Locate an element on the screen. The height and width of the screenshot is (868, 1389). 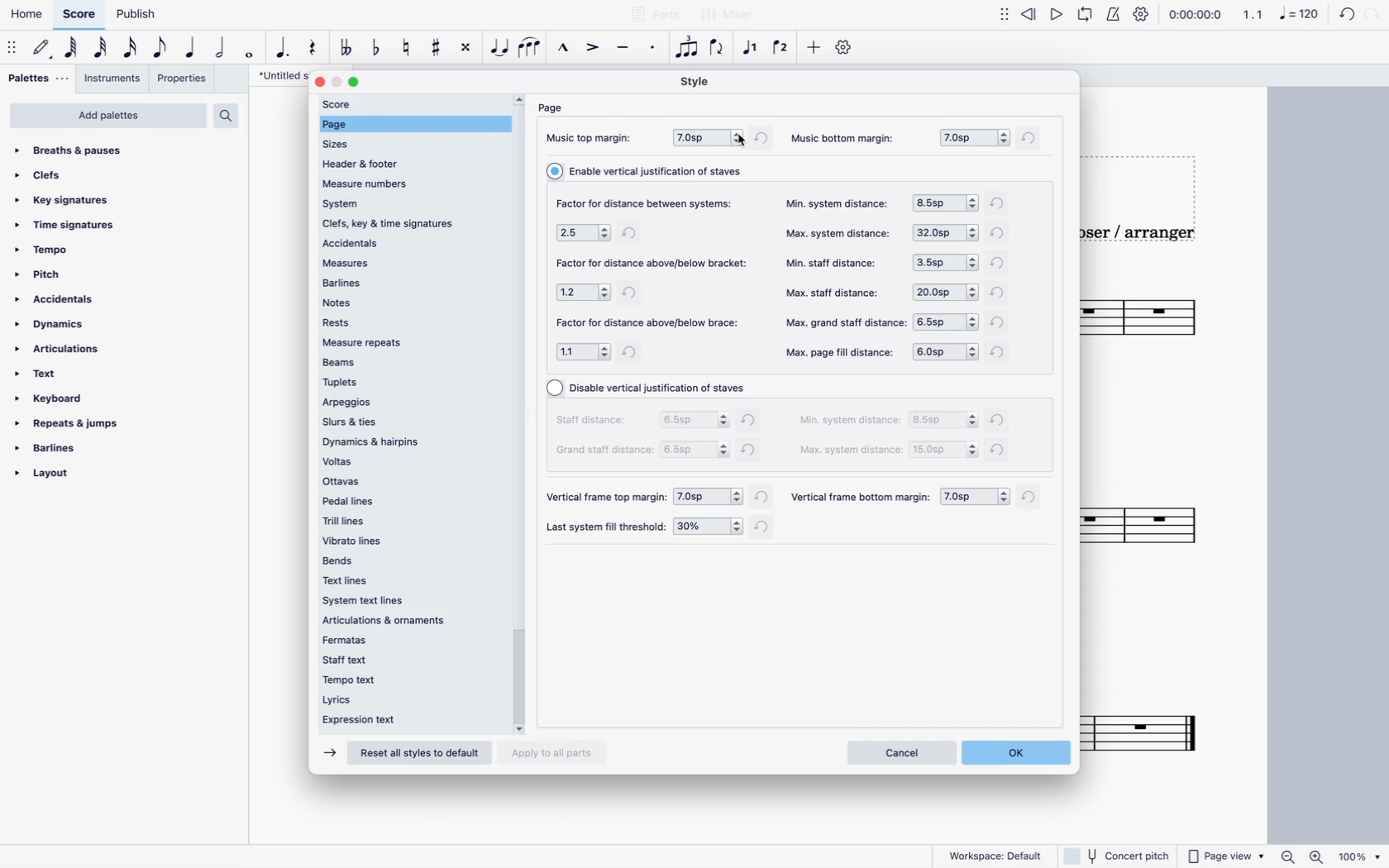
composer / arranger is located at coordinates (1143, 237).